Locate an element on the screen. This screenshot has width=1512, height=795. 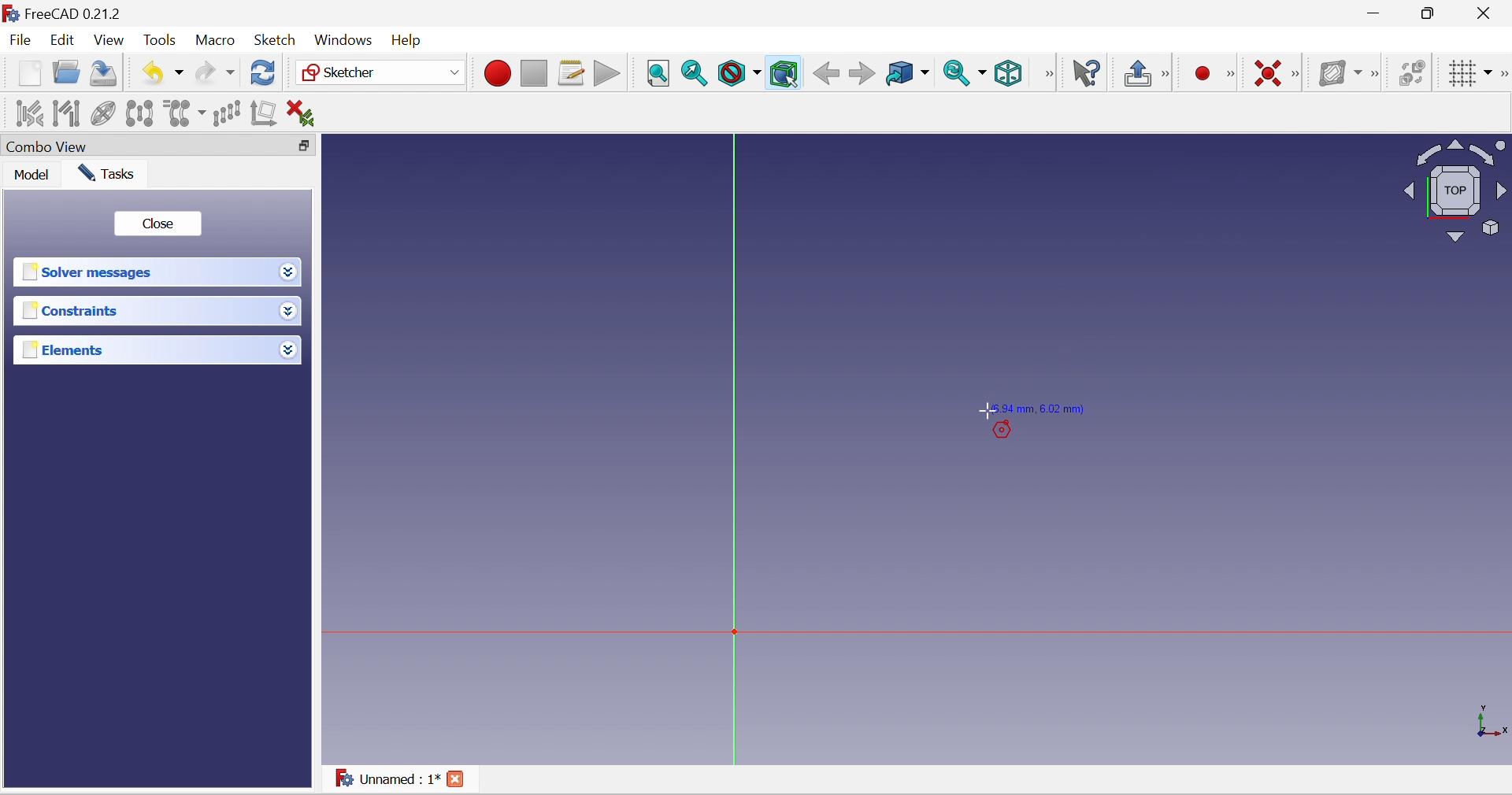
Undo is located at coordinates (161, 74).